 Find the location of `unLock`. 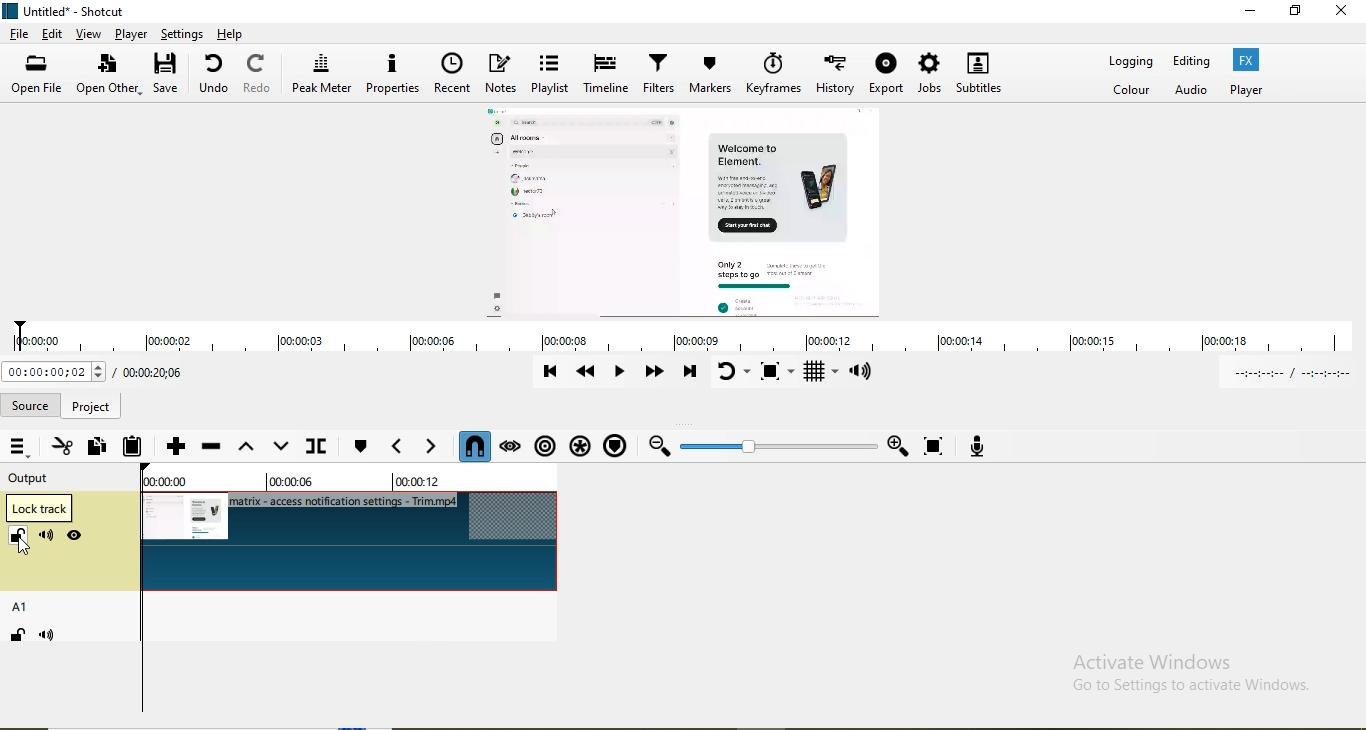

unLock is located at coordinates (21, 537).